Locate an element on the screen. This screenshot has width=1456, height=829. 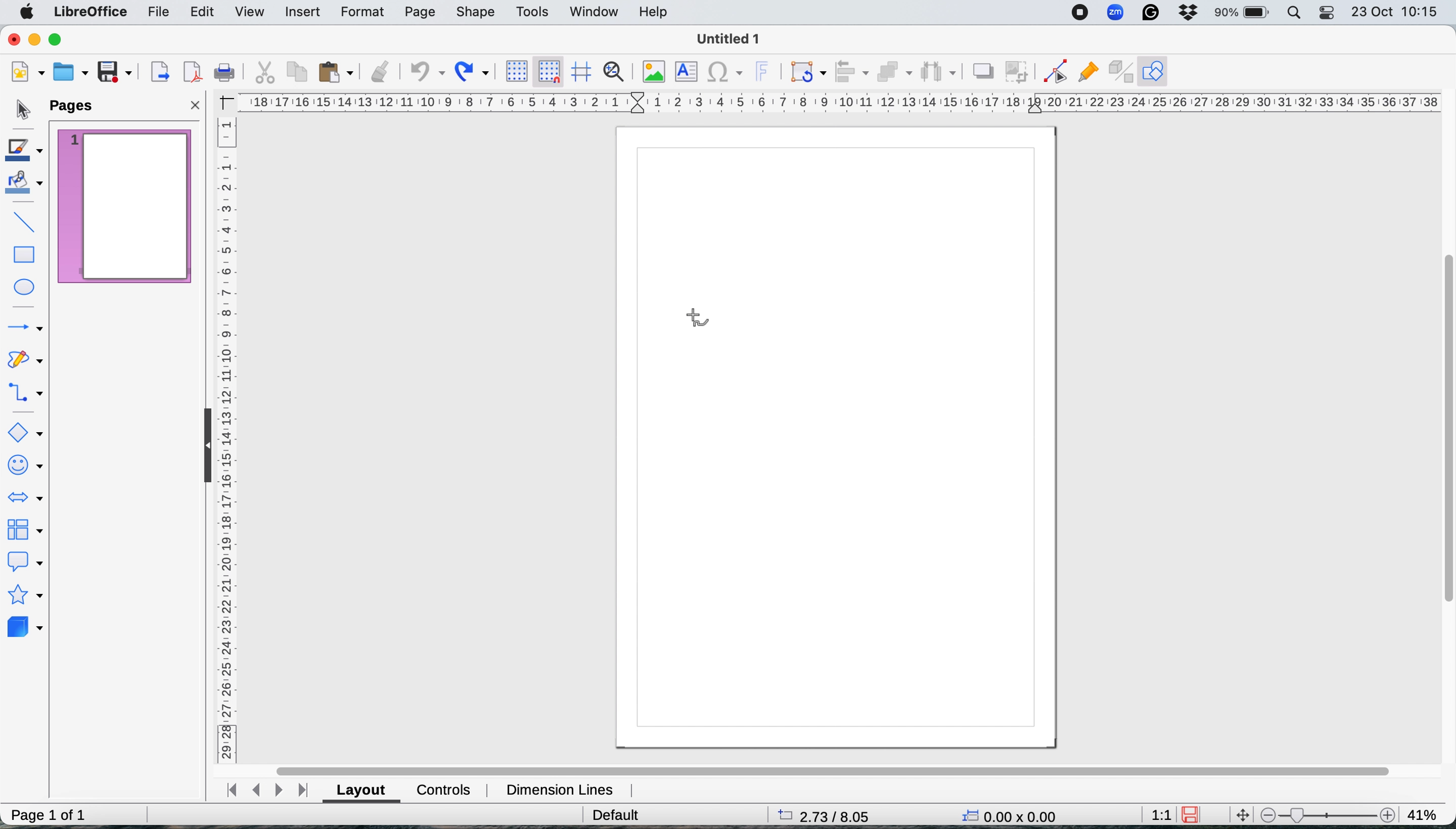
switch between pages is located at coordinates (268, 788).